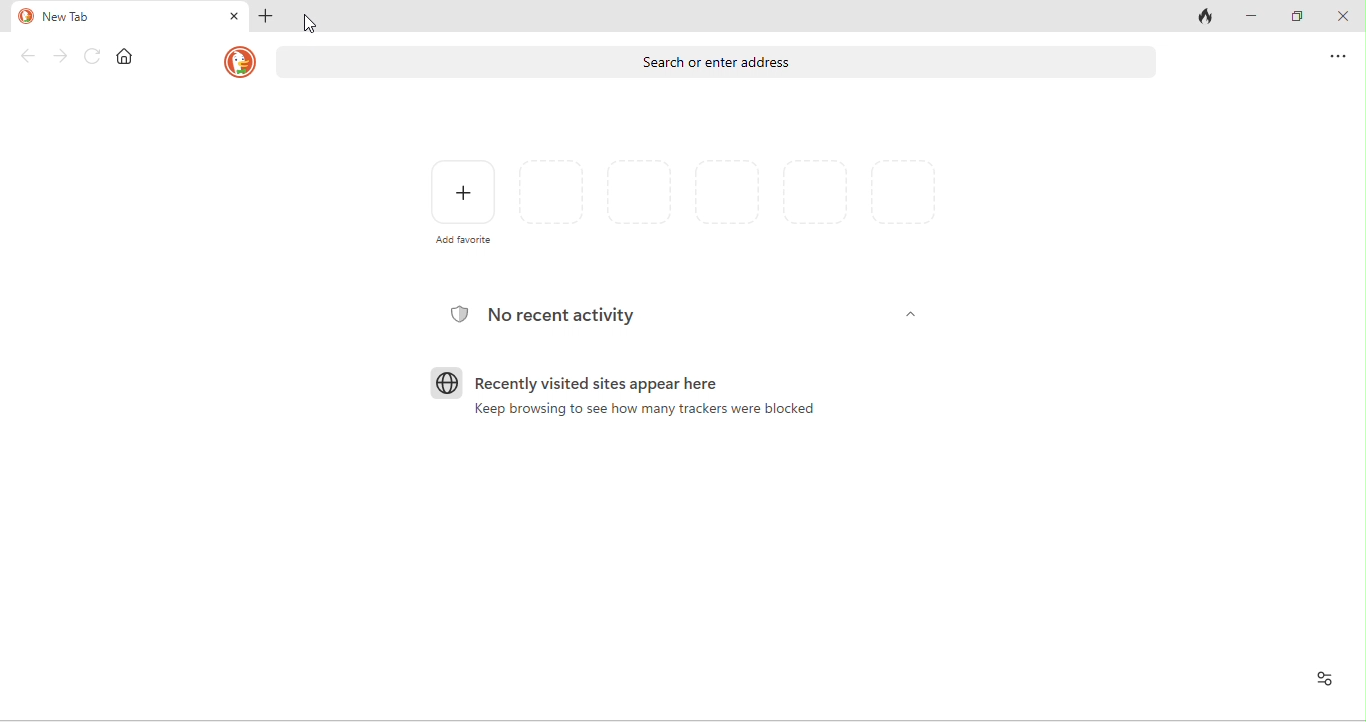 This screenshot has height=722, width=1366. What do you see at coordinates (90, 56) in the screenshot?
I see `refresh` at bounding box center [90, 56].